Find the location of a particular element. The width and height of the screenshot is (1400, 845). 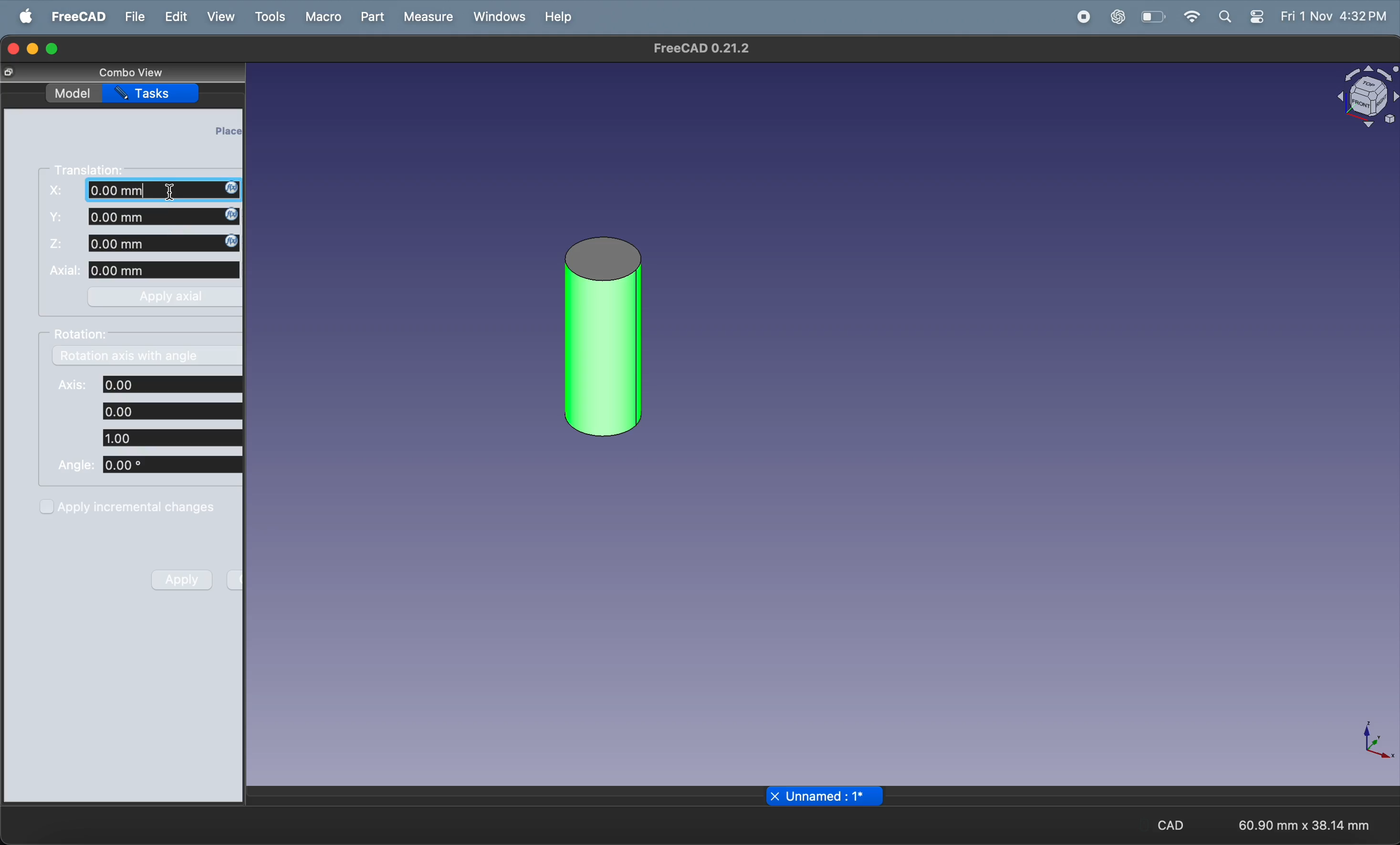

freeCad  0.21.2 is located at coordinates (701, 48).